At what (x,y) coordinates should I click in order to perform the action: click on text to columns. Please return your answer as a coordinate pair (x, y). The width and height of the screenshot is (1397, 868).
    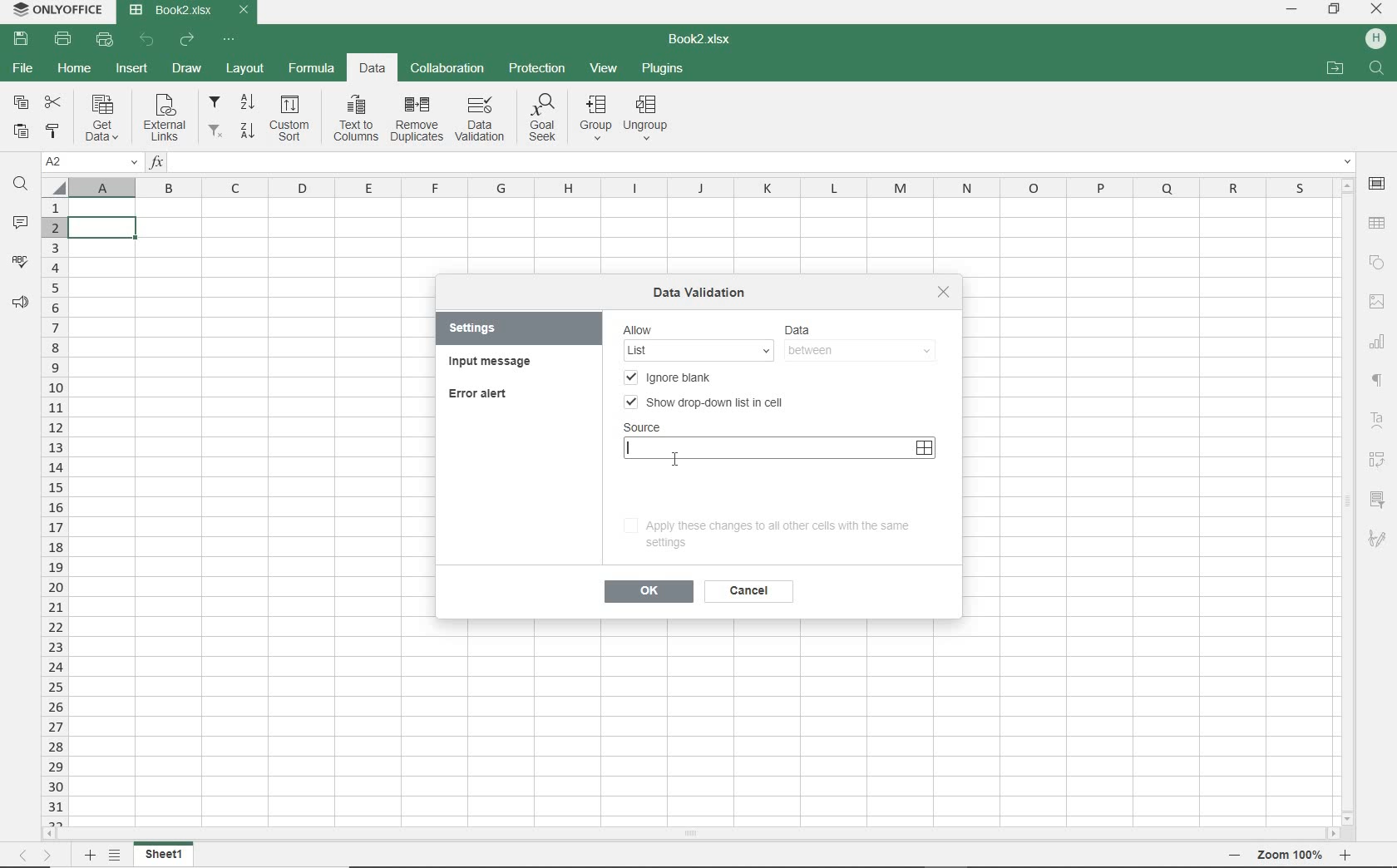
    Looking at the image, I should click on (357, 117).